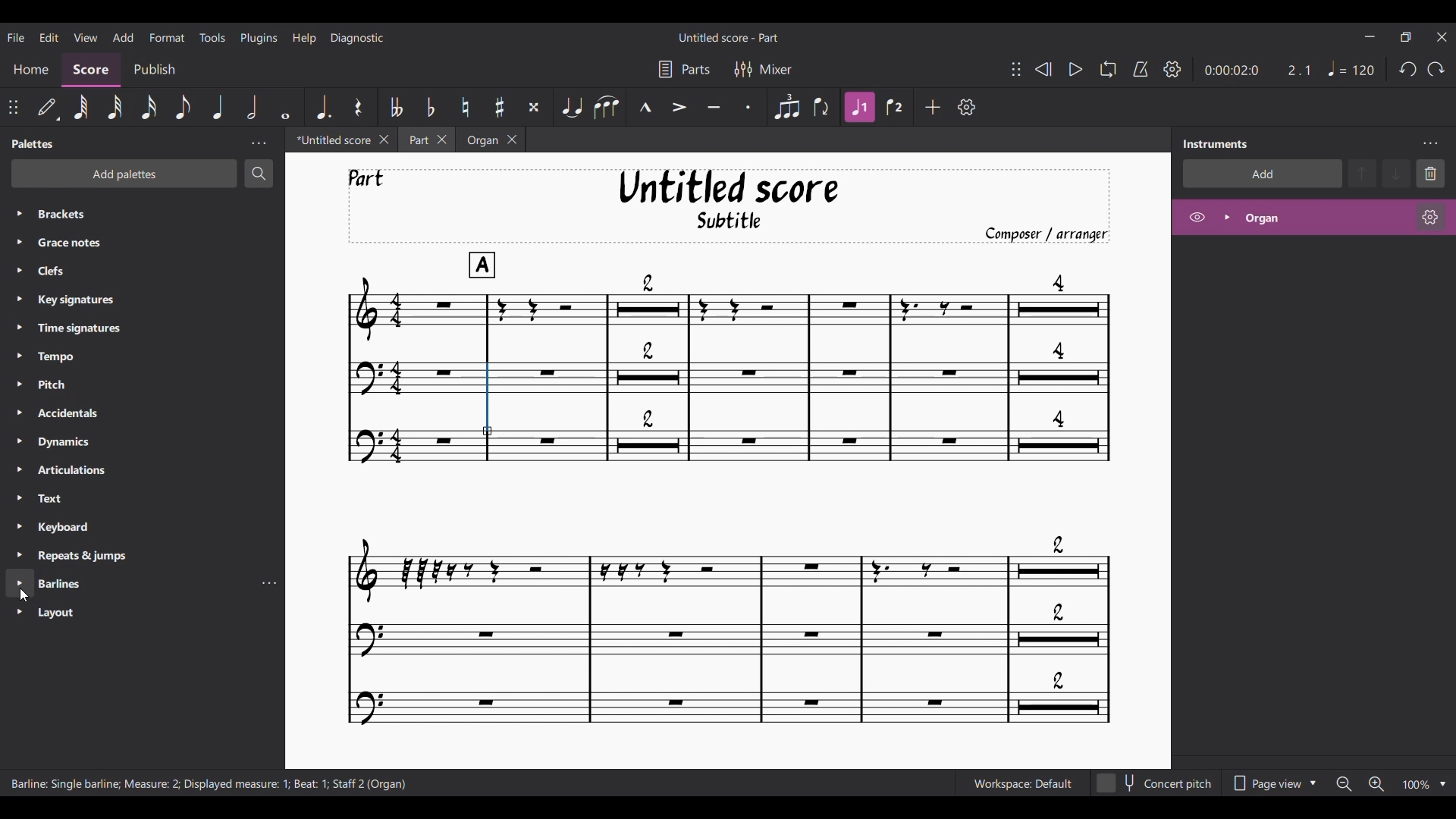 This screenshot has width=1456, height=819. I want to click on Play, so click(1075, 69).